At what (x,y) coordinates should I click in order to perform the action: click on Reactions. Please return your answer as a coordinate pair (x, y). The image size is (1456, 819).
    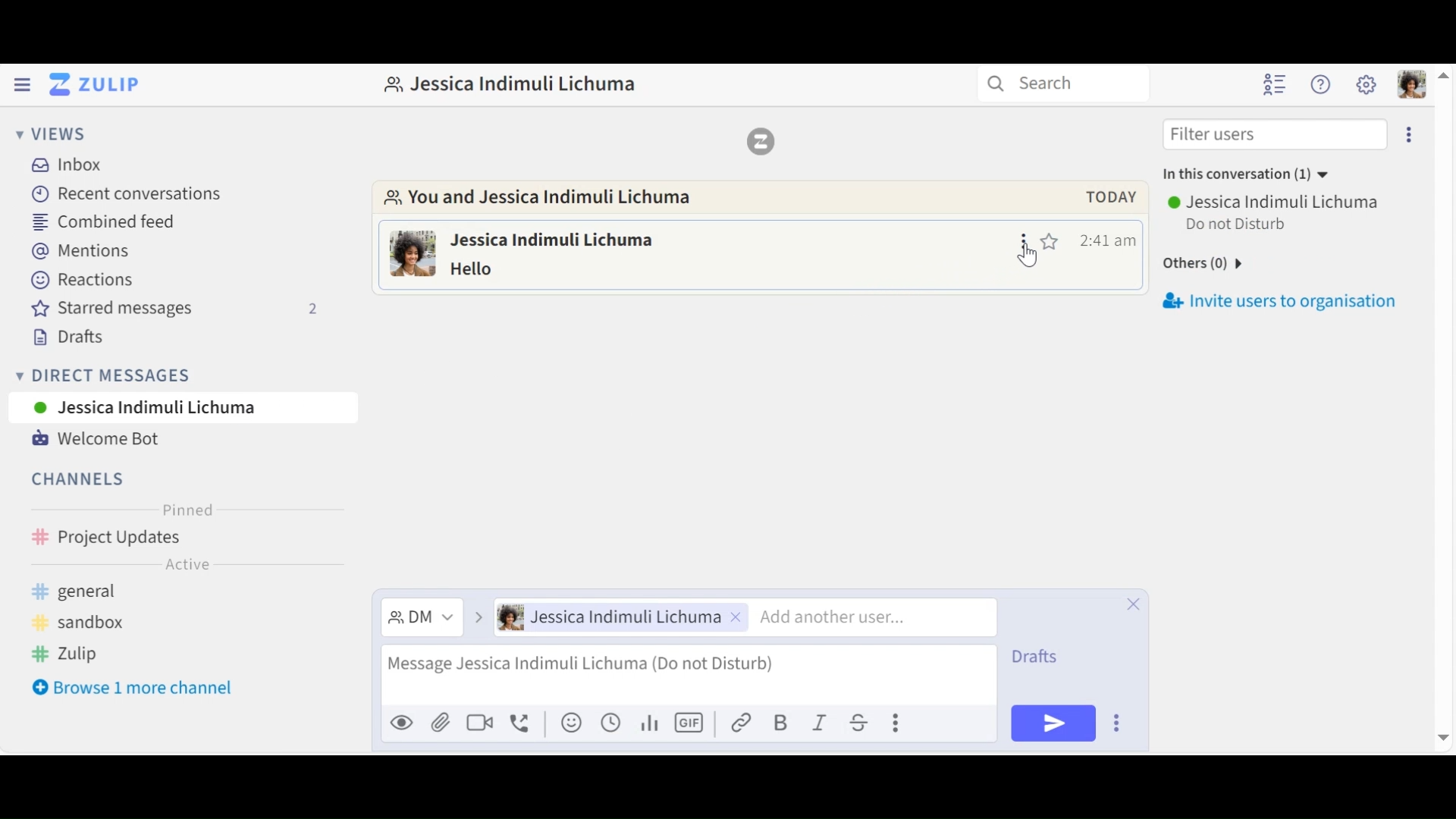
    Looking at the image, I should click on (80, 281).